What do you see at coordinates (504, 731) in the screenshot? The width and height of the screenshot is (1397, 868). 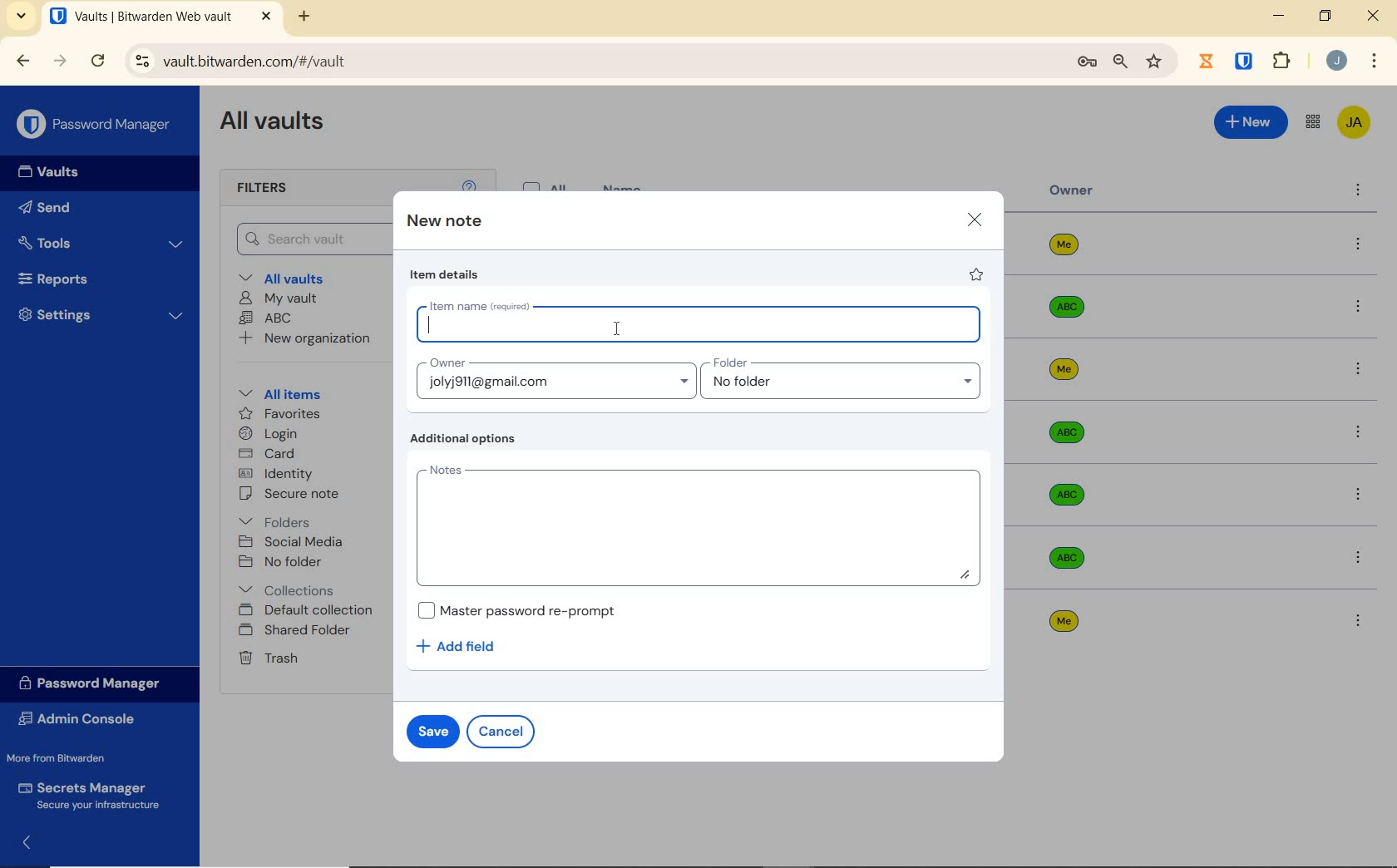 I see `cancel` at bounding box center [504, 731].